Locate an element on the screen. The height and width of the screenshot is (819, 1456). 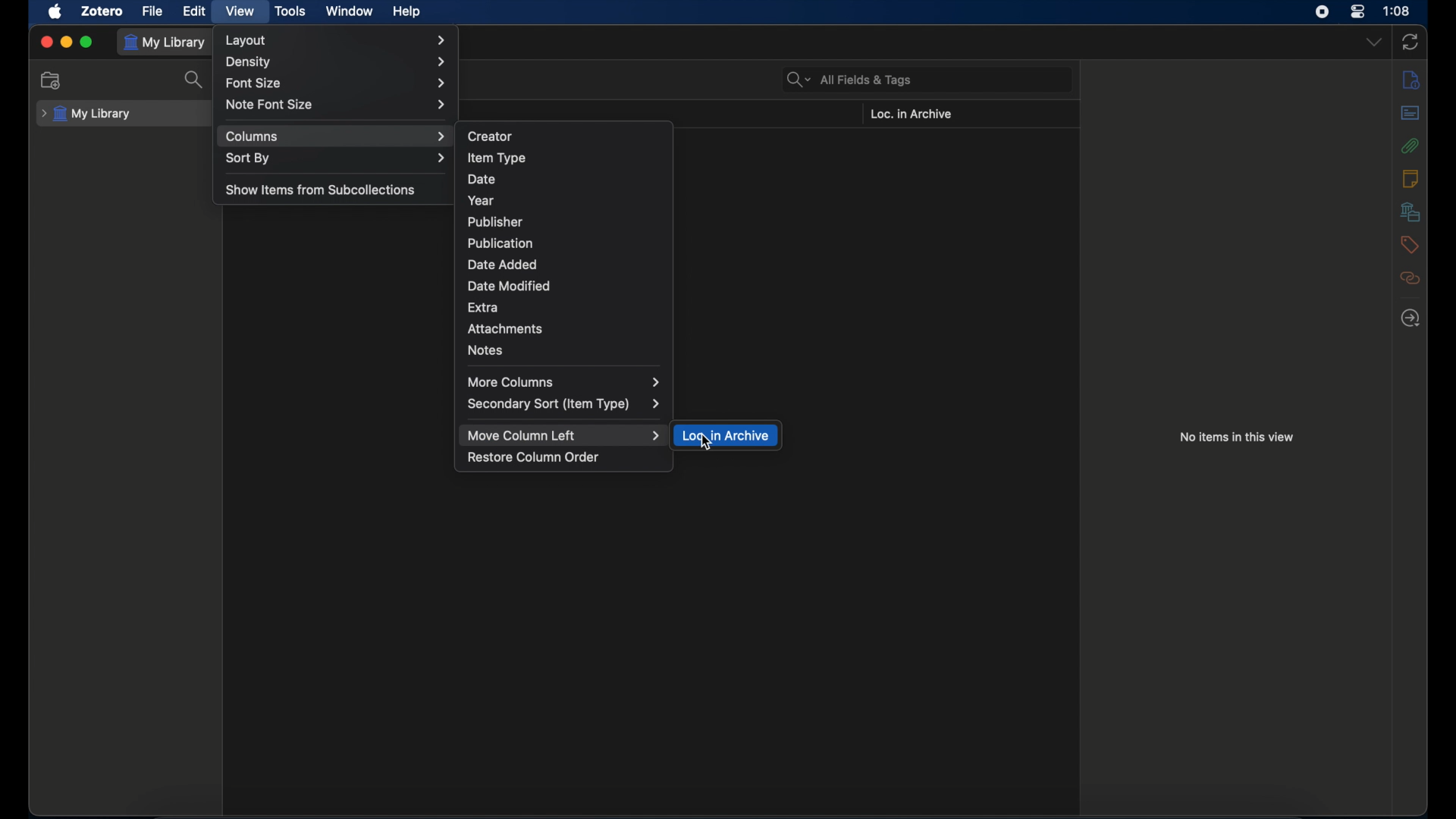
edit is located at coordinates (195, 11).